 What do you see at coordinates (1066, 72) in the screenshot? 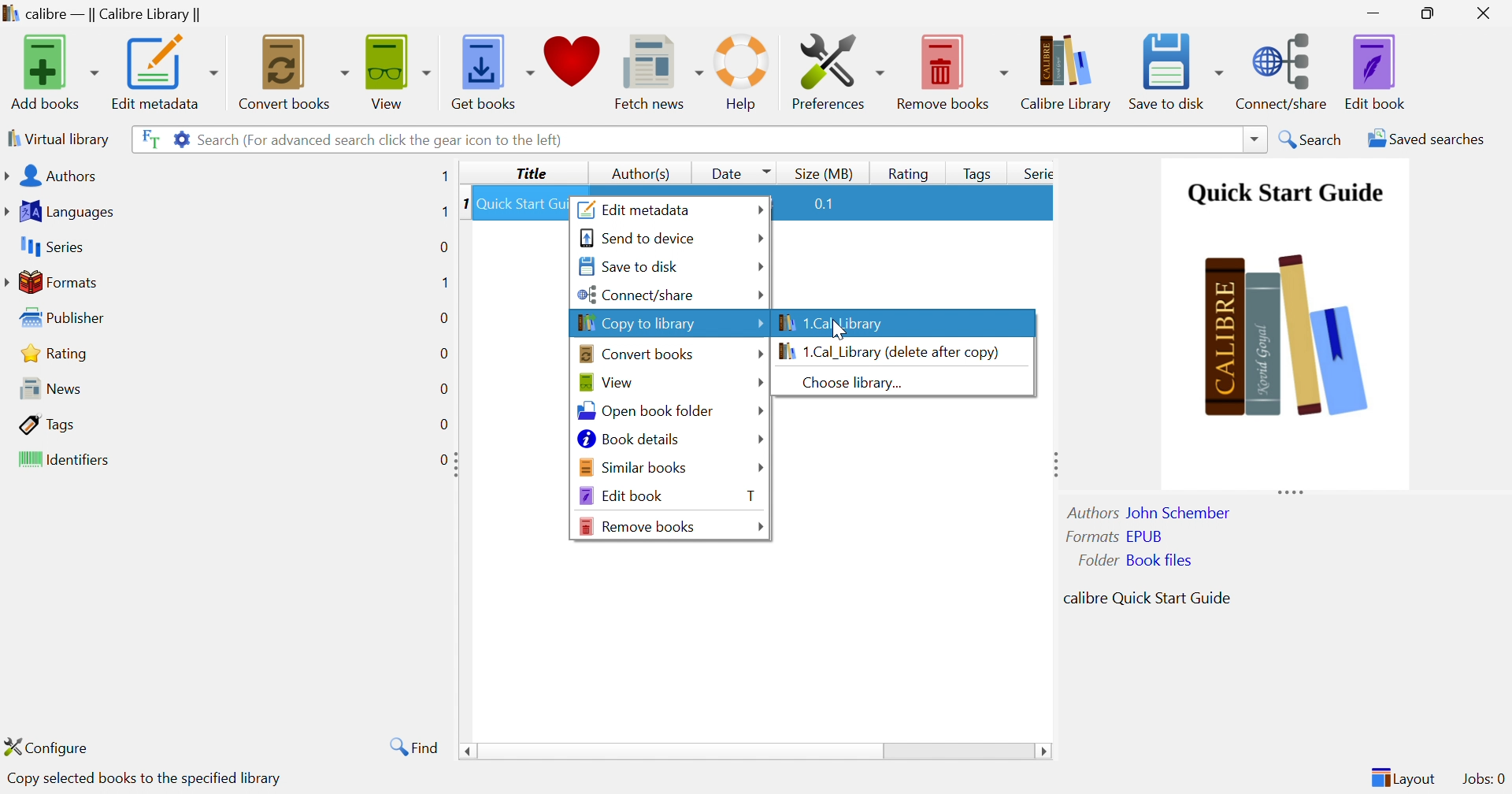
I see `Calibre Library` at bounding box center [1066, 72].